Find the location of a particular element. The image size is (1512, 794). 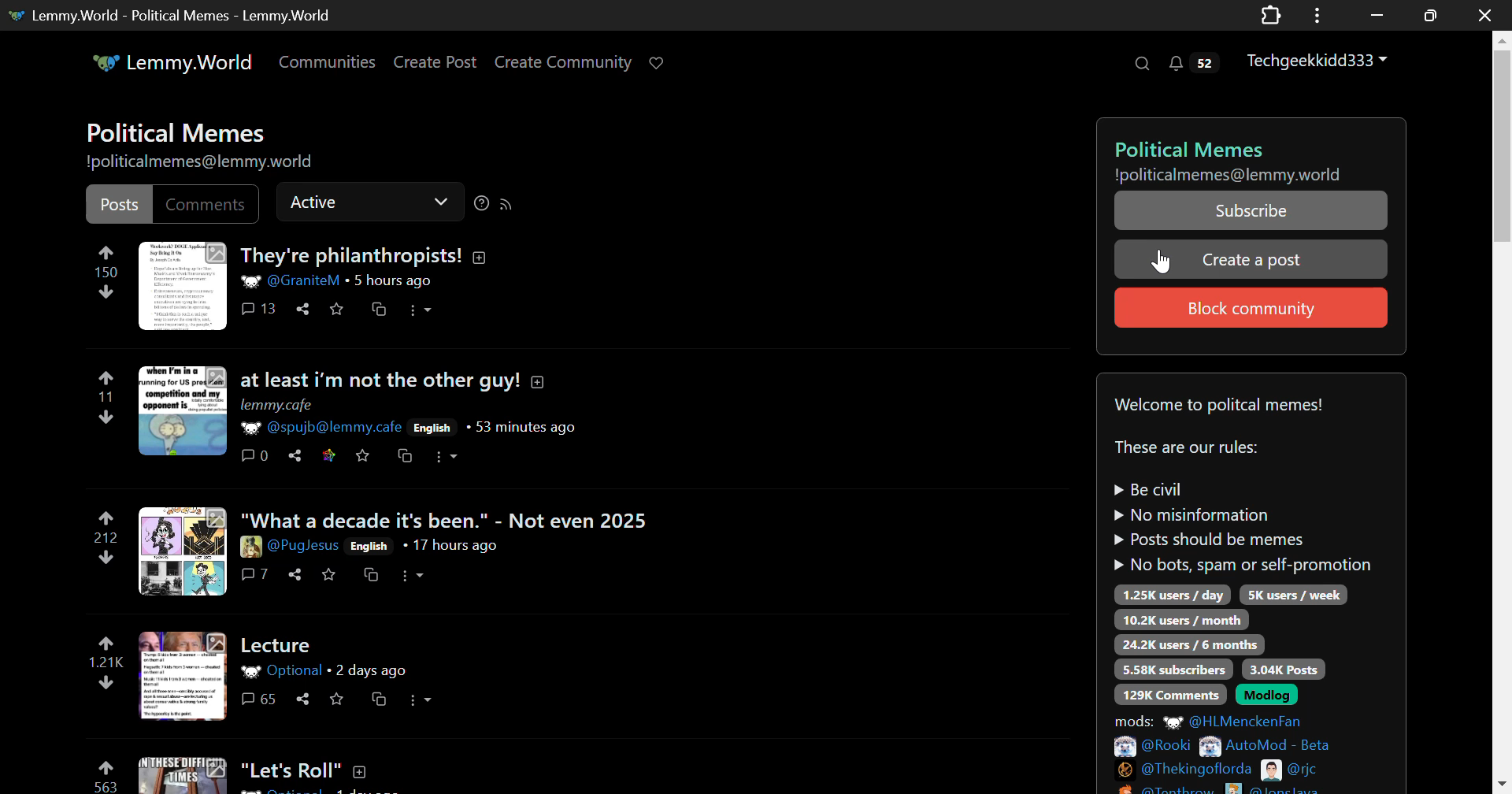

Political Memes is located at coordinates (183, 131).